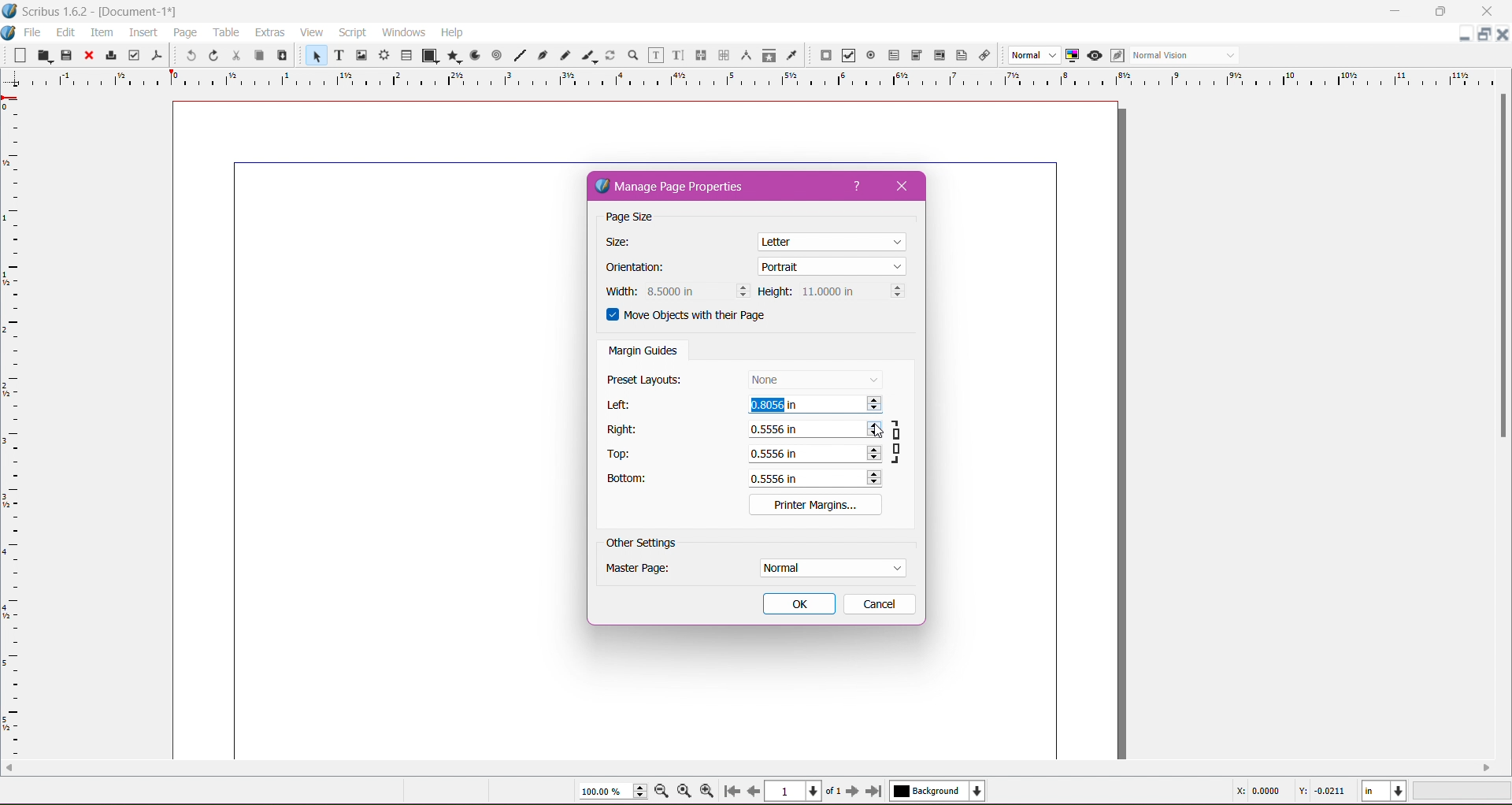 The width and height of the screenshot is (1512, 805). Describe the element at coordinates (804, 791) in the screenshot. I see `Select the current page` at that location.